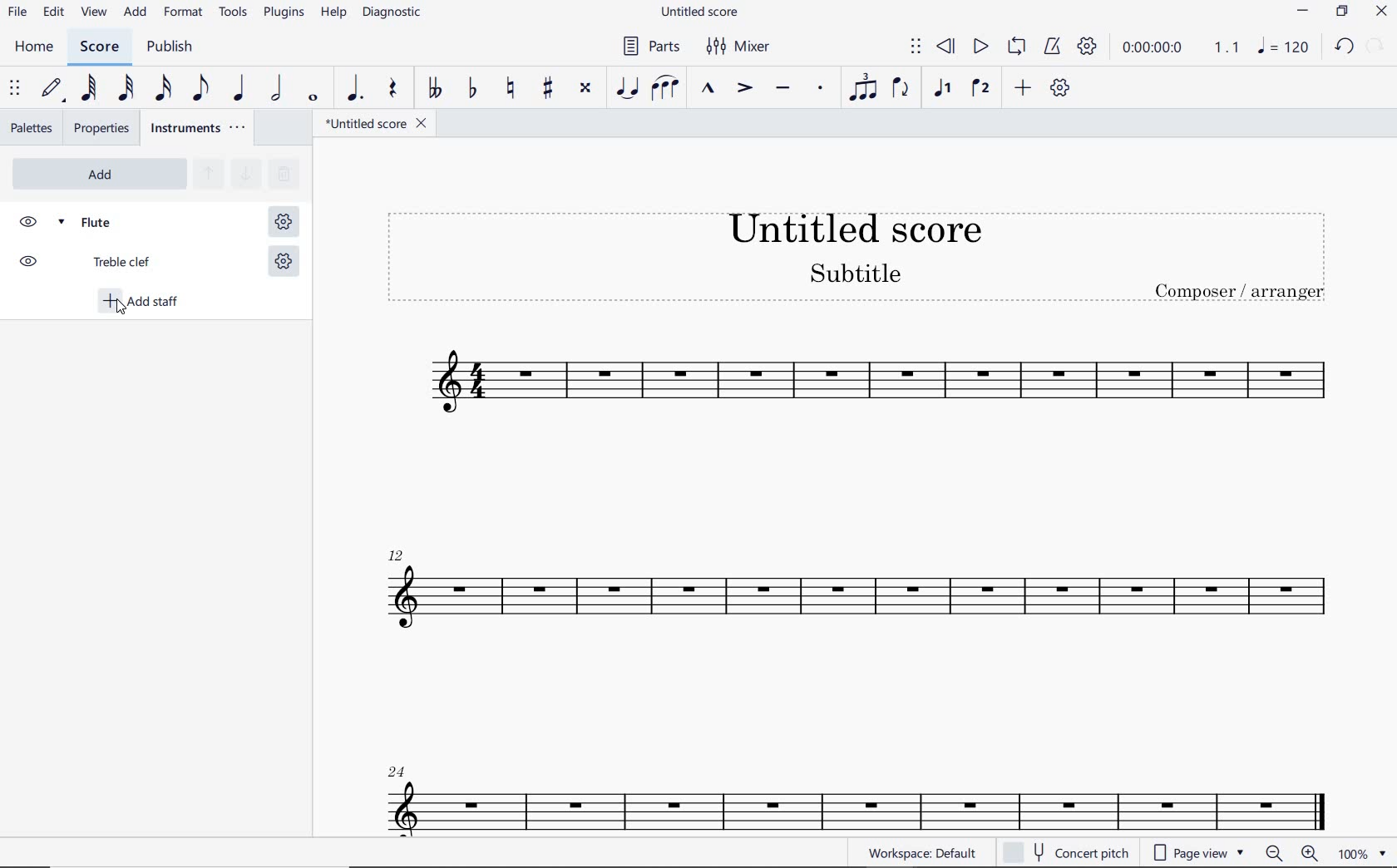 This screenshot has height=868, width=1397. Describe the element at coordinates (375, 124) in the screenshot. I see `file name` at that location.